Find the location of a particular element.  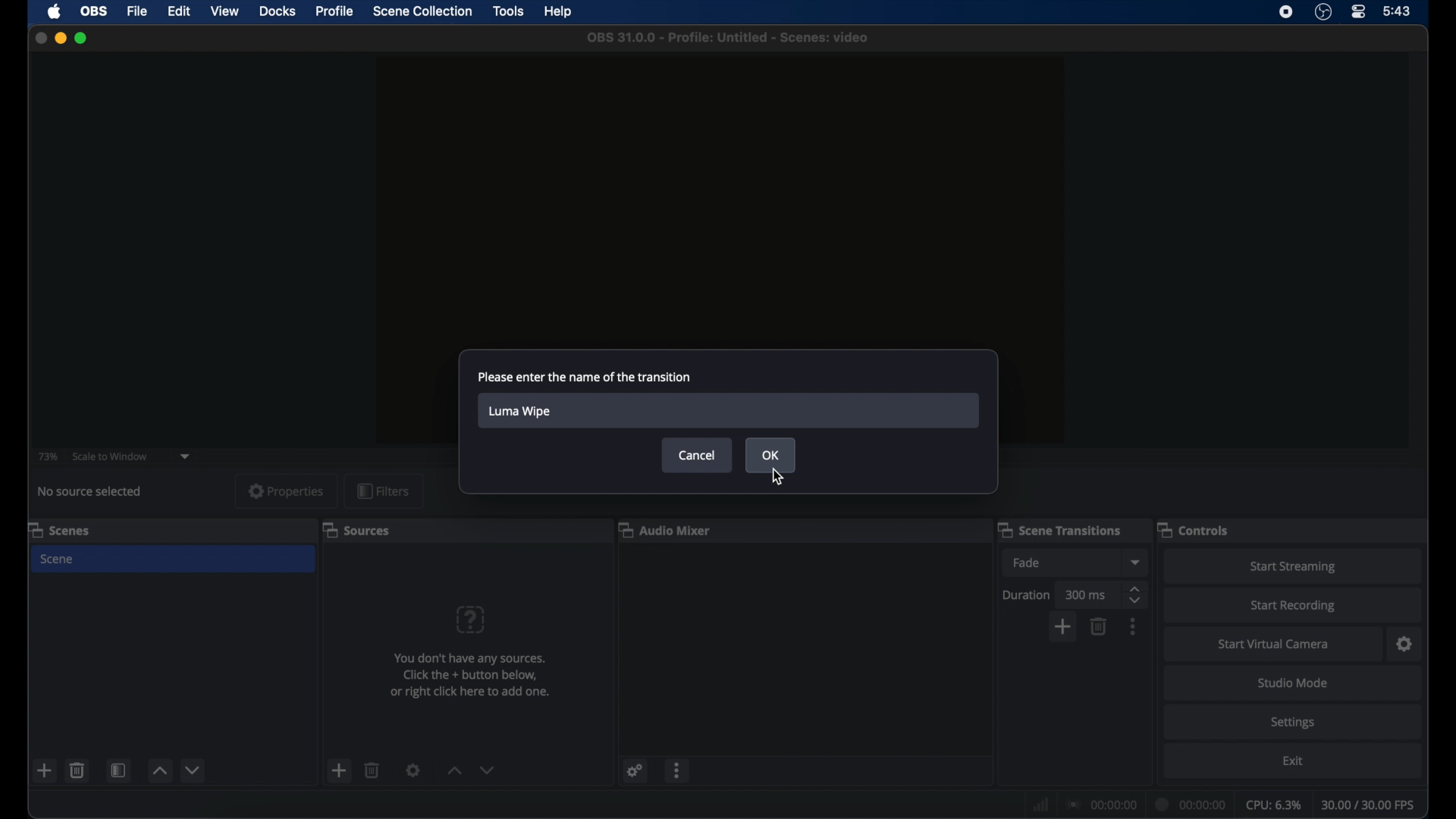

duration is located at coordinates (1191, 805).